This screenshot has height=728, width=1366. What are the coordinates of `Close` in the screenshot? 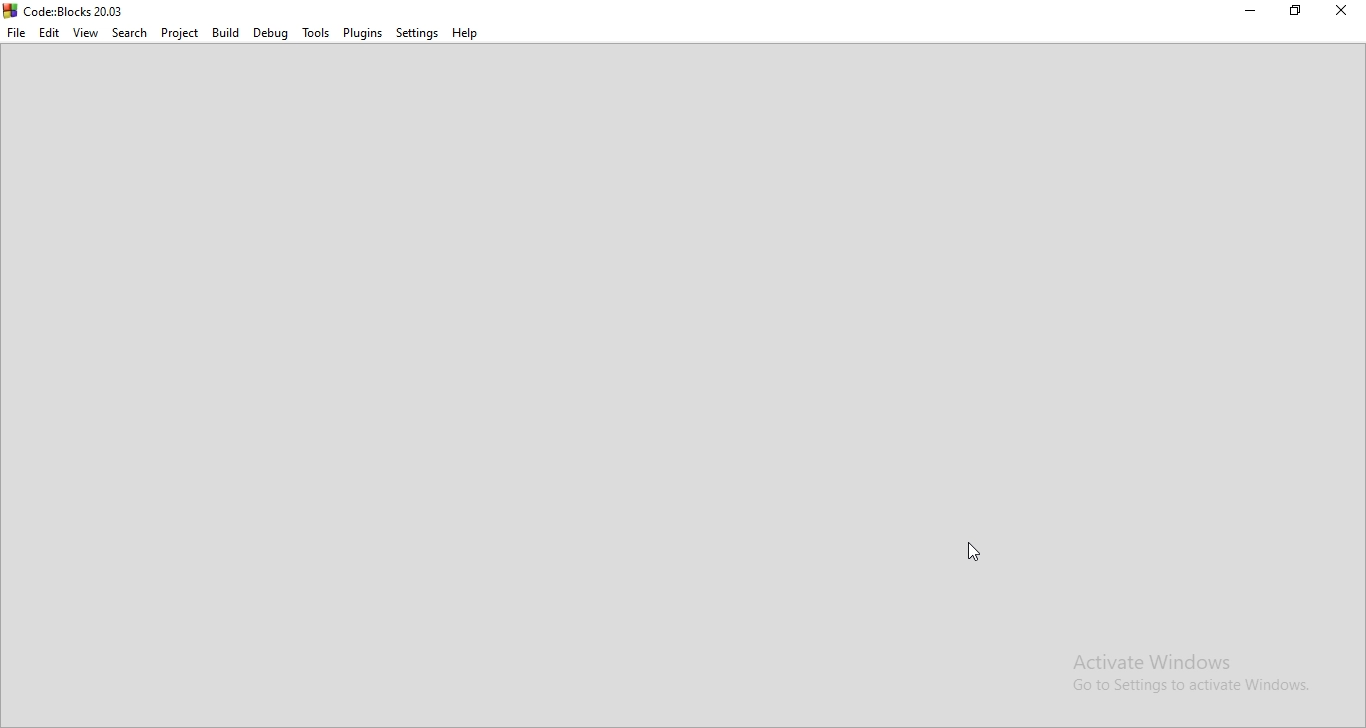 It's located at (1343, 12).